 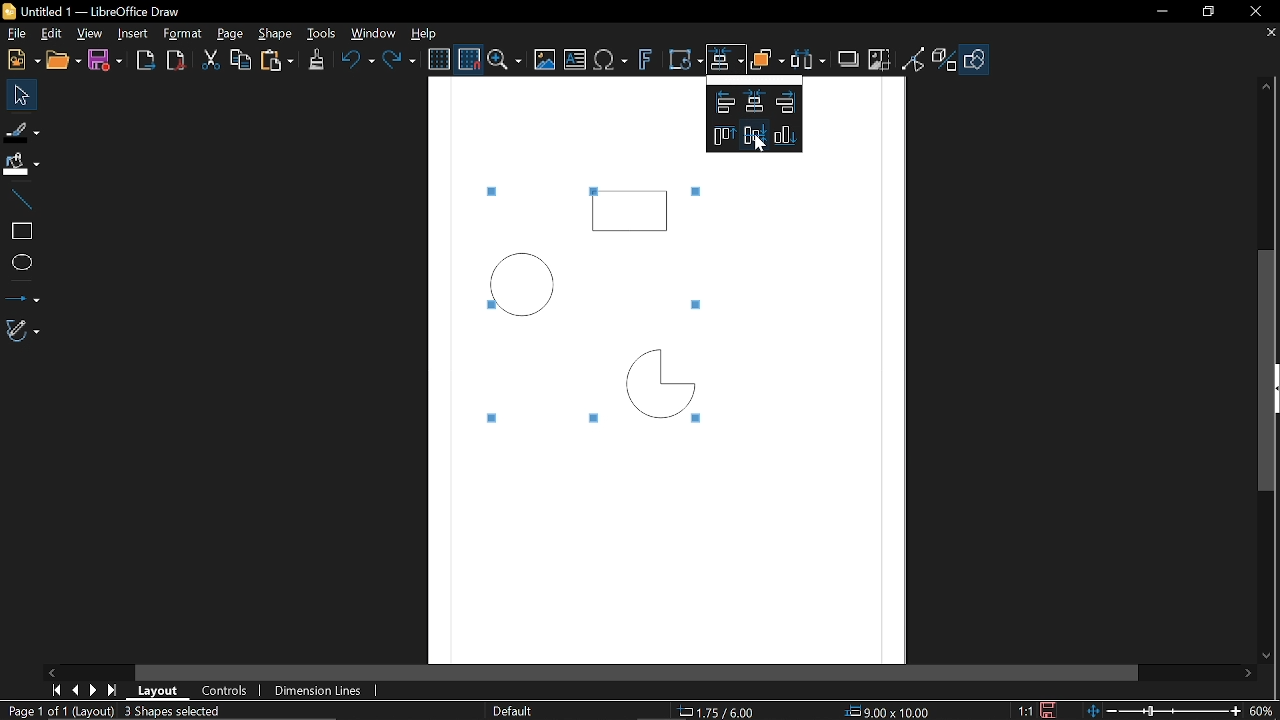 I want to click on Copy, so click(x=241, y=60).